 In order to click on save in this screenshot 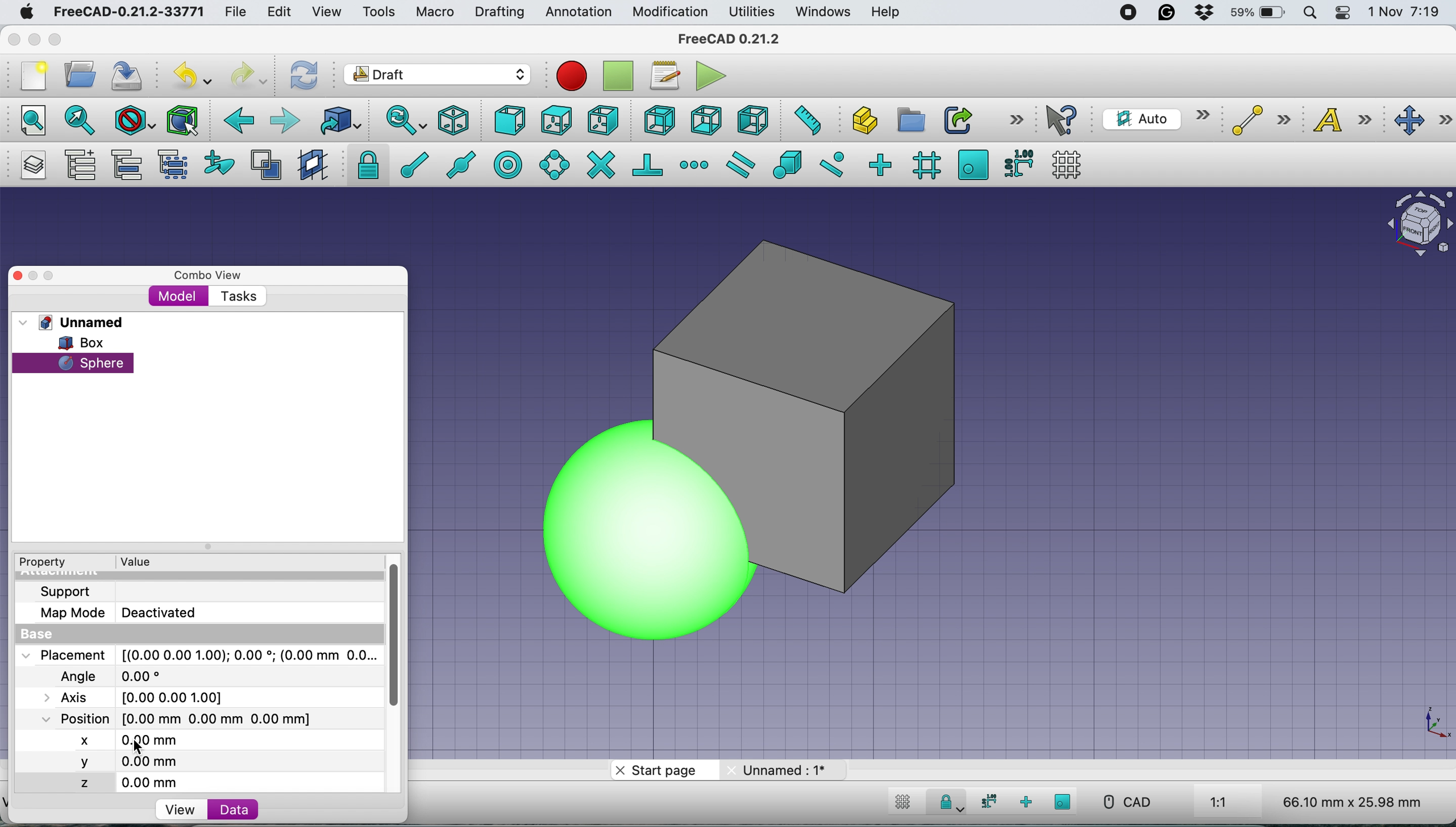, I will do `click(128, 76)`.